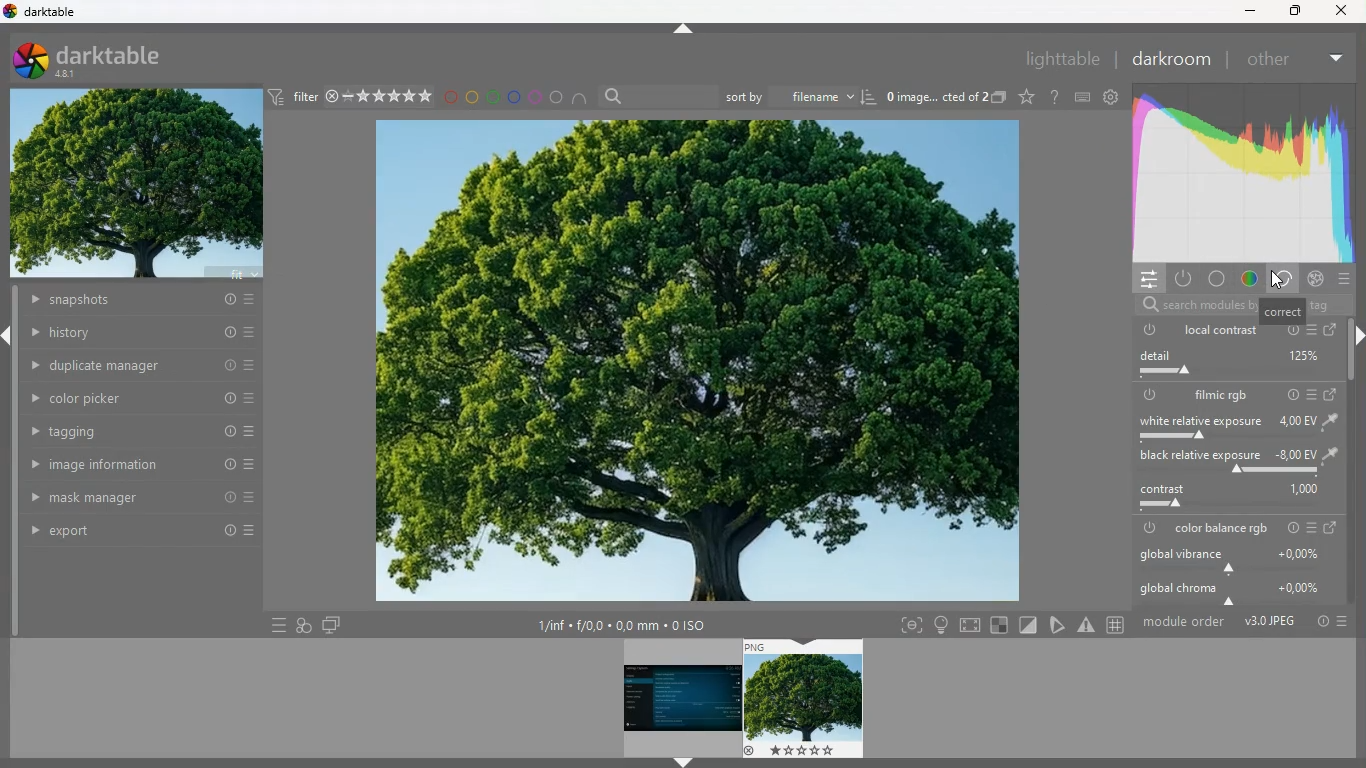  Describe the element at coordinates (1343, 279) in the screenshot. I see `more` at that location.